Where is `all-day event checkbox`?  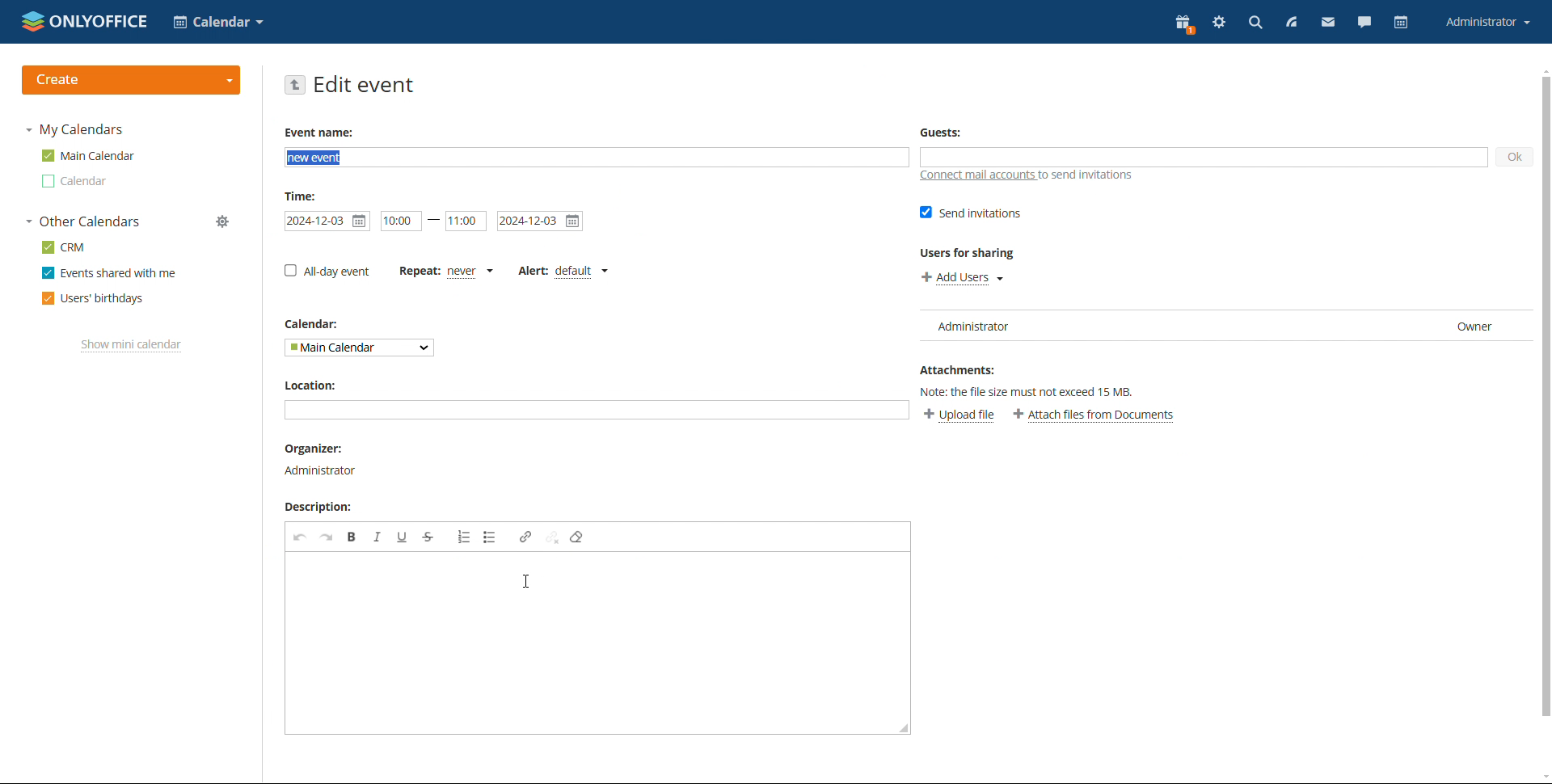
all-day event checkbox is located at coordinates (327, 271).